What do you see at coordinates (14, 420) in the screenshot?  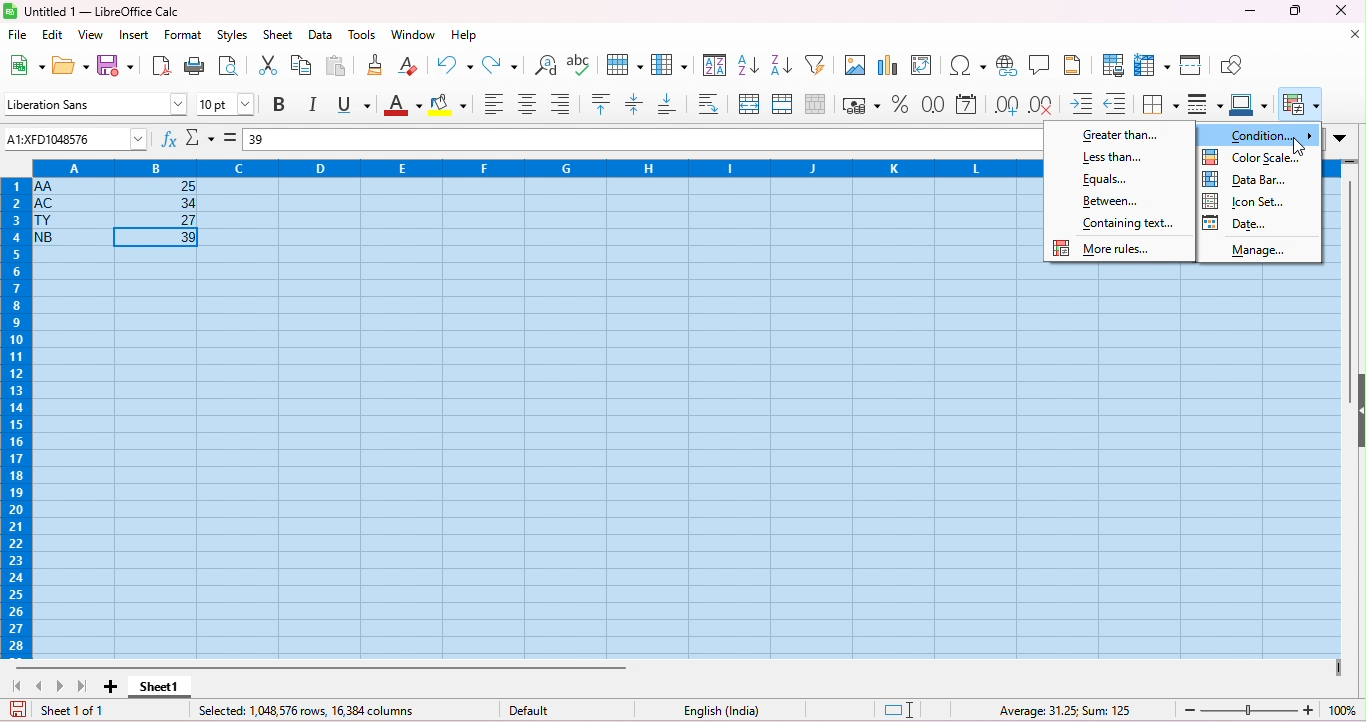 I see `row numbers` at bounding box center [14, 420].